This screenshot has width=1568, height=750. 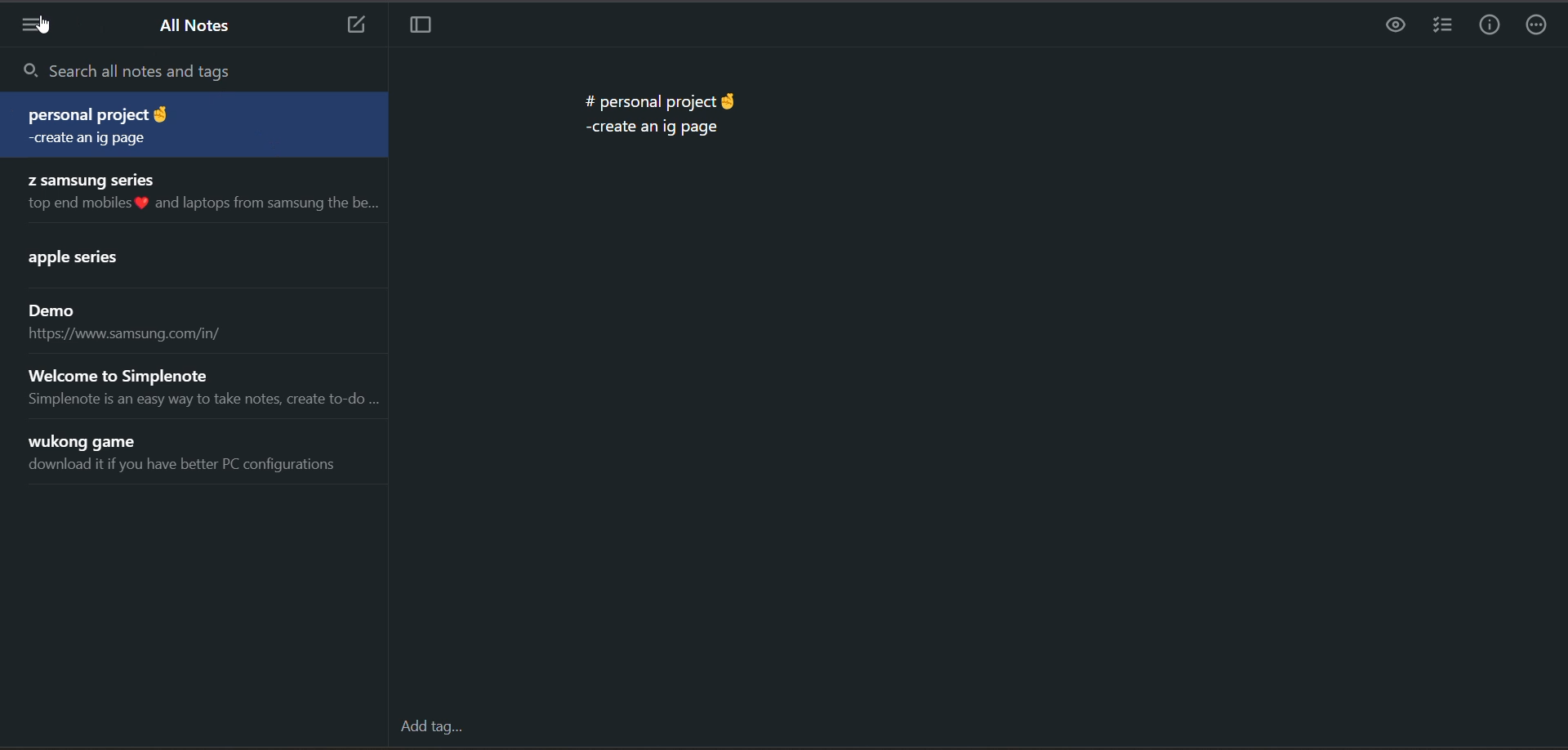 What do you see at coordinates (353, 25) in the screenshot?
I see `new note` at bounding box center [353, 25].